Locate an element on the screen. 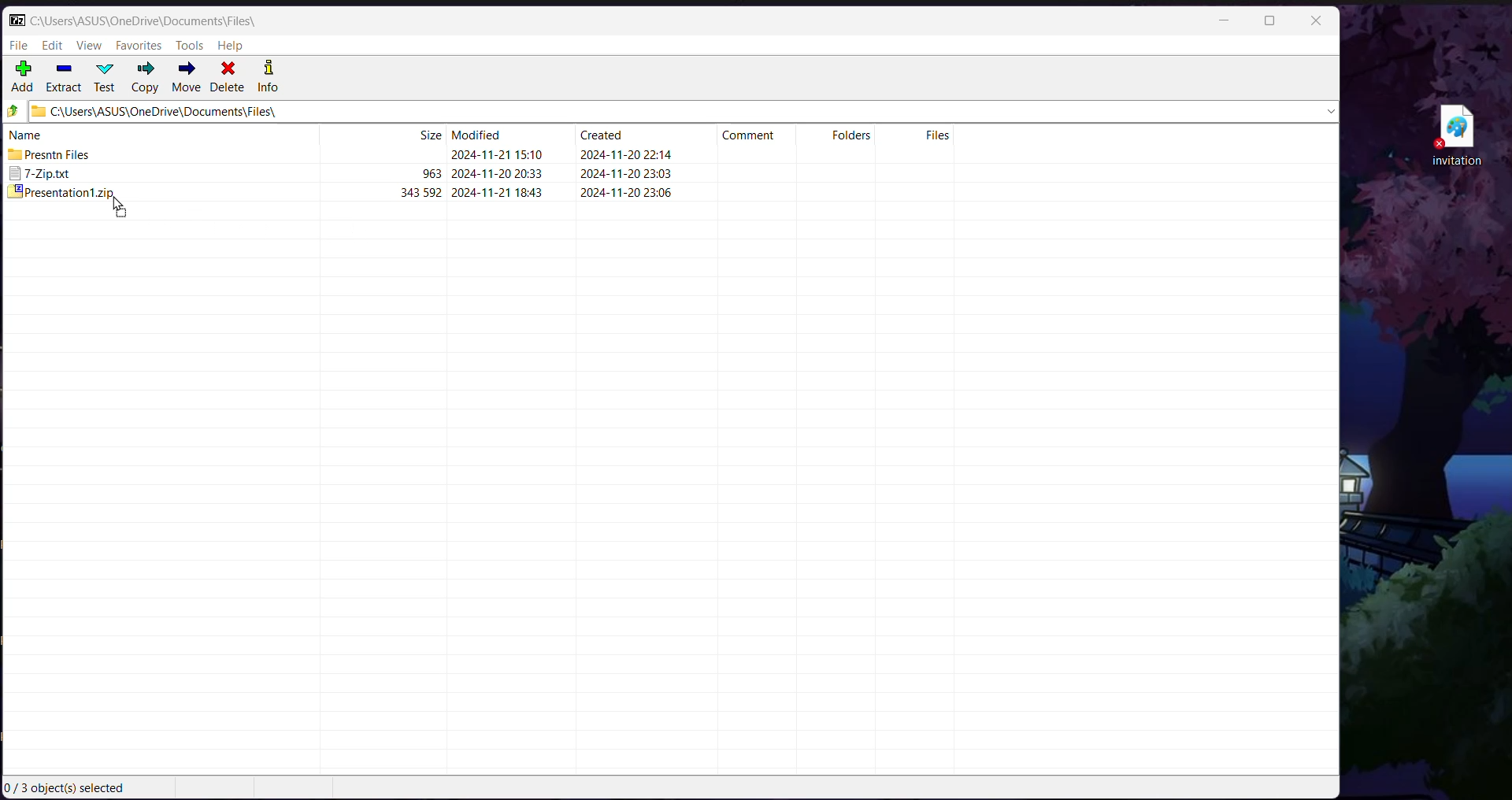 The width and height of the screenshot is (1512, 800). Drag to Cursor is located at coordinates (123, 210).